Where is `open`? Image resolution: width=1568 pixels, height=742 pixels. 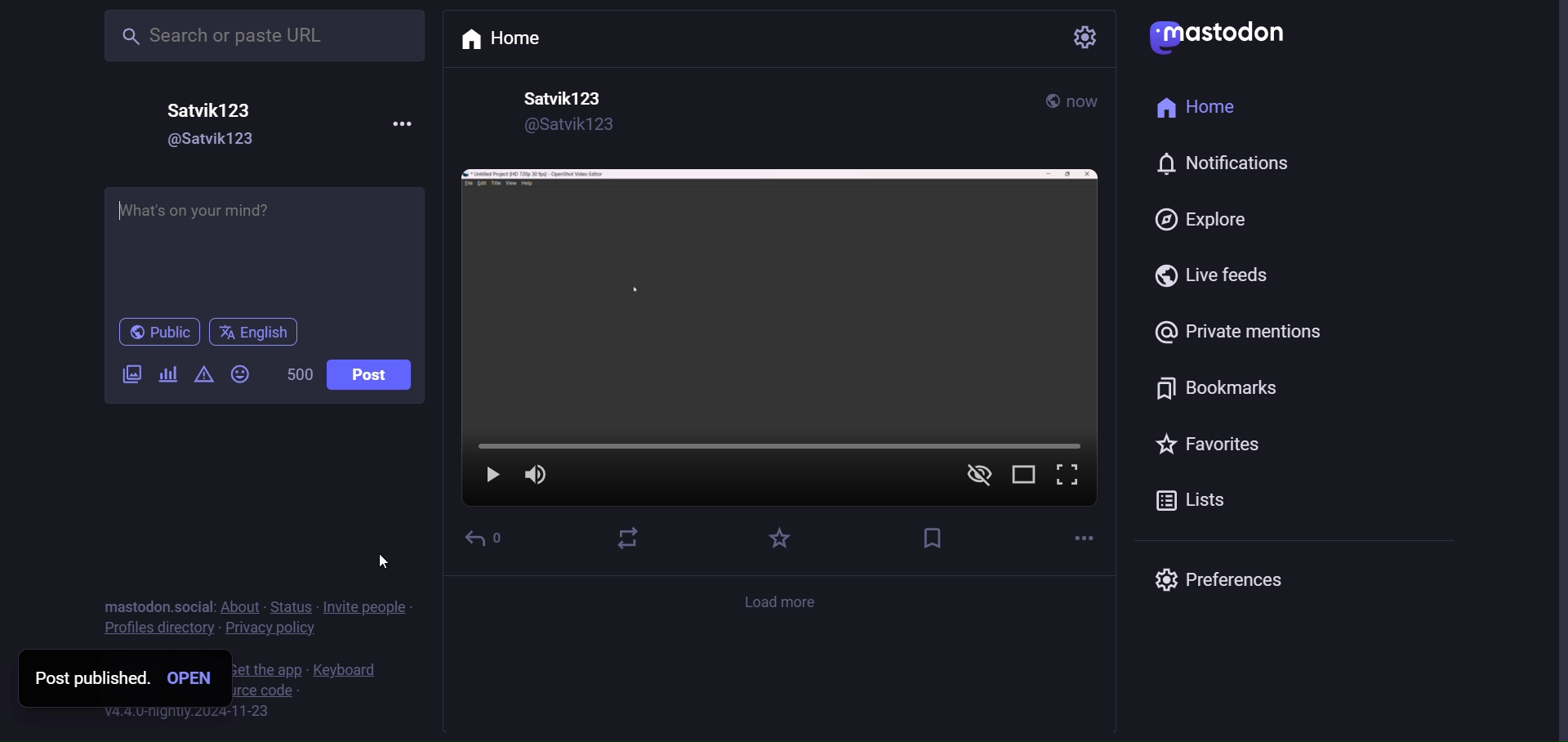
open is located at coordinates (188, 679).